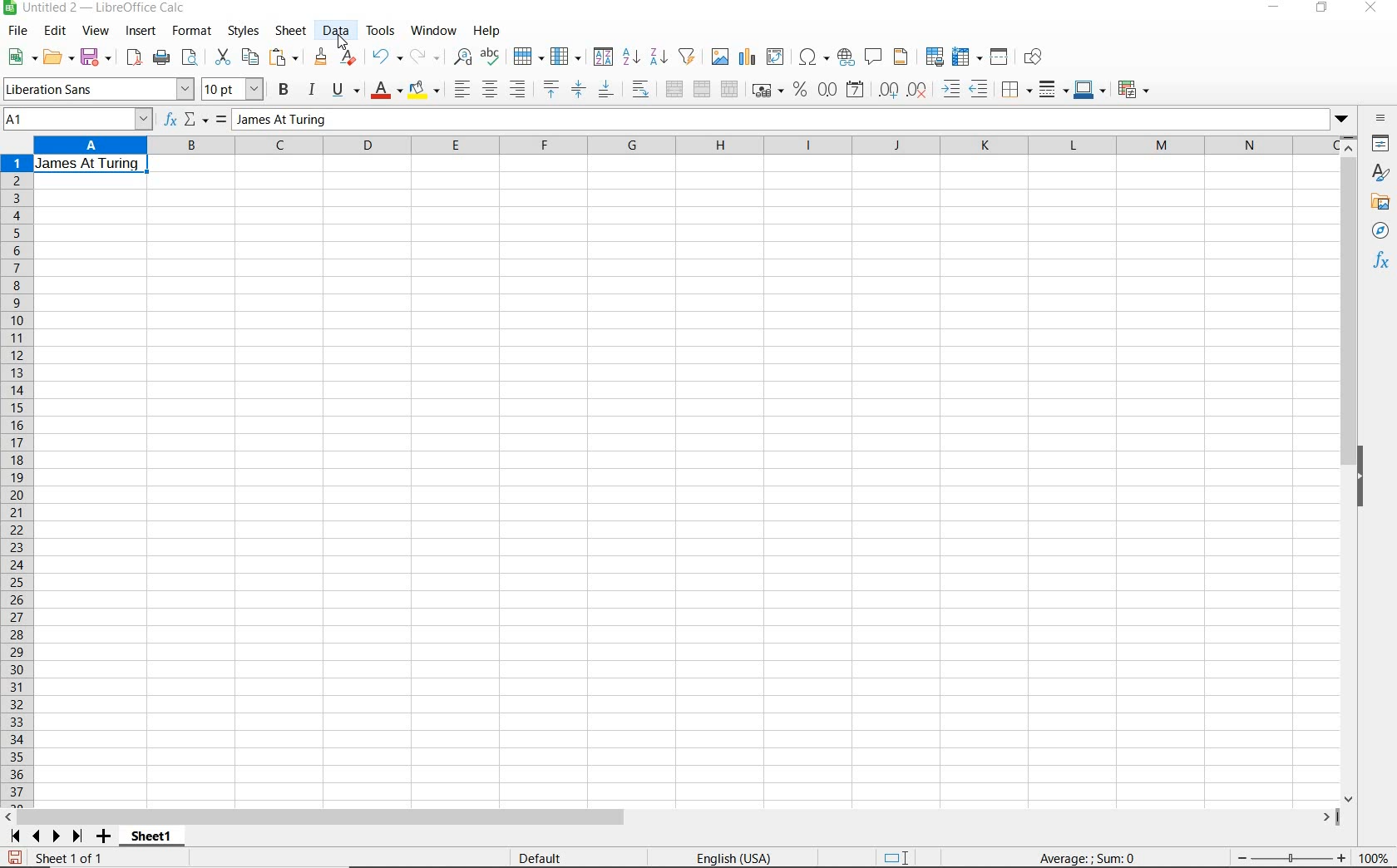 The width and height of the screenshot is (1397, 868). Describe the element at coordinates (21, 57) in the screenshot. I see `new` at that location.